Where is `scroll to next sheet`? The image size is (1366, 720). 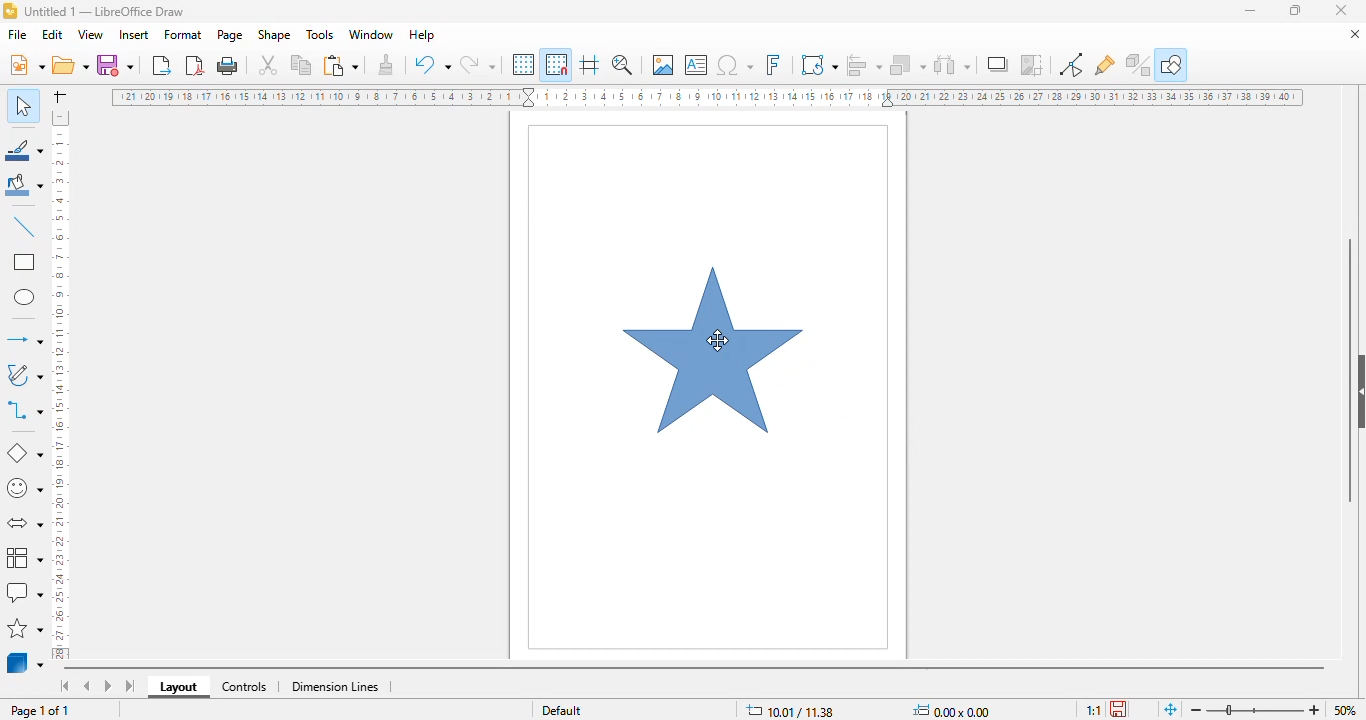 scroll to next sheet is located at coordinates (108, 686).